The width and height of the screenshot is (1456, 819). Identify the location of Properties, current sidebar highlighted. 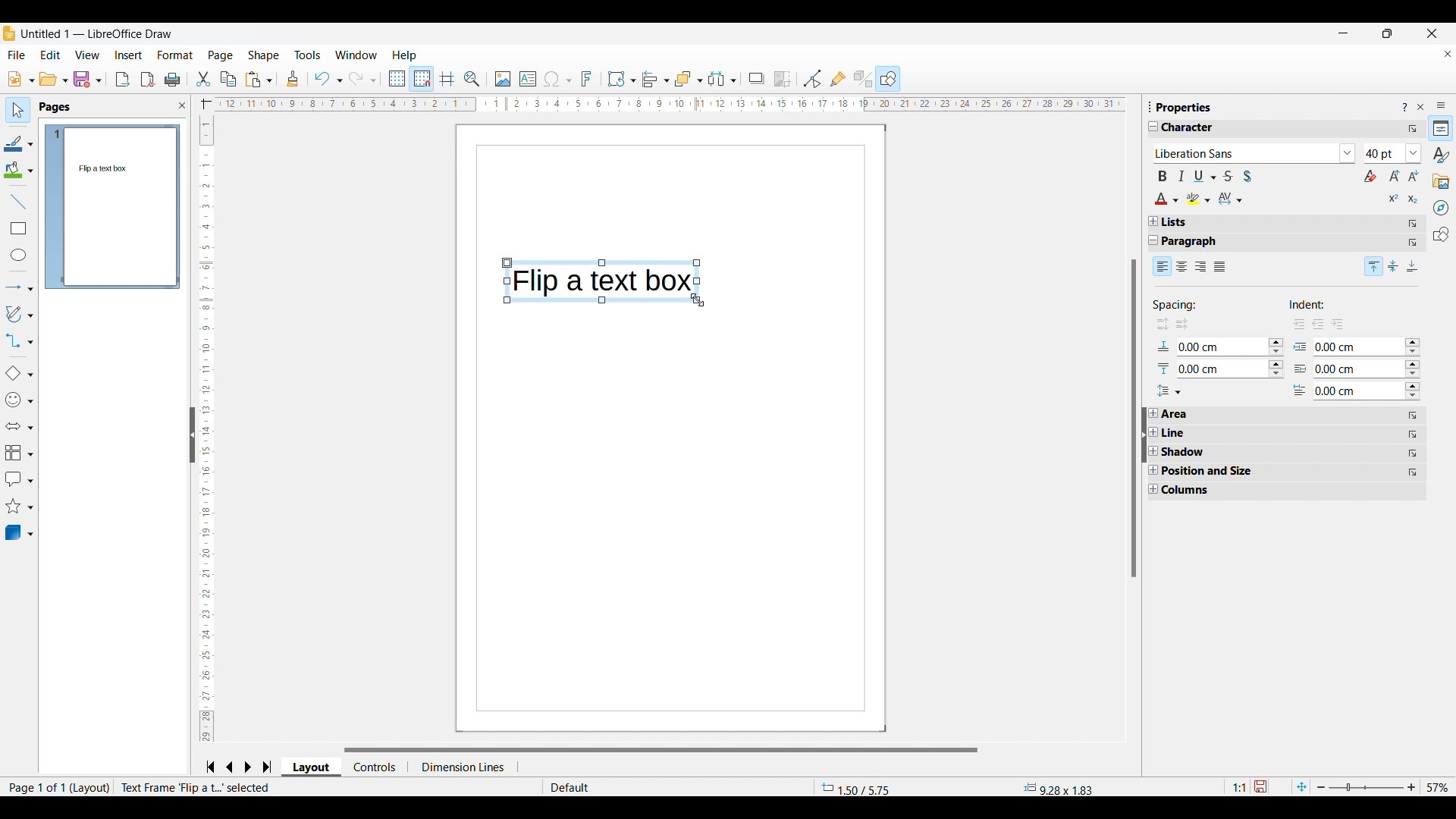
(1440, 128).